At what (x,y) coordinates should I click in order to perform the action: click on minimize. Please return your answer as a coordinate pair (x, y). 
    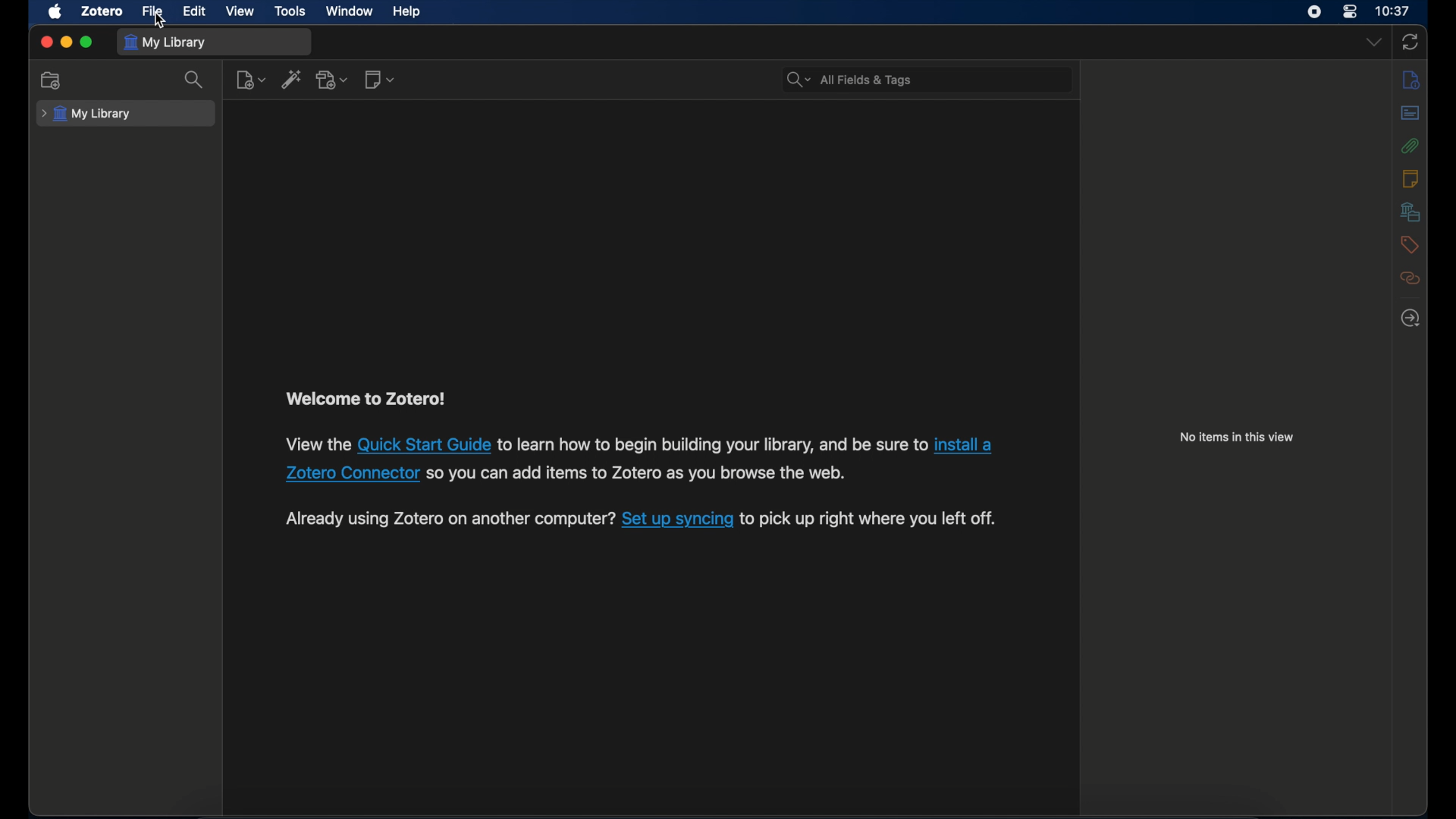
    Looking at the image, I should click on (65, 43).